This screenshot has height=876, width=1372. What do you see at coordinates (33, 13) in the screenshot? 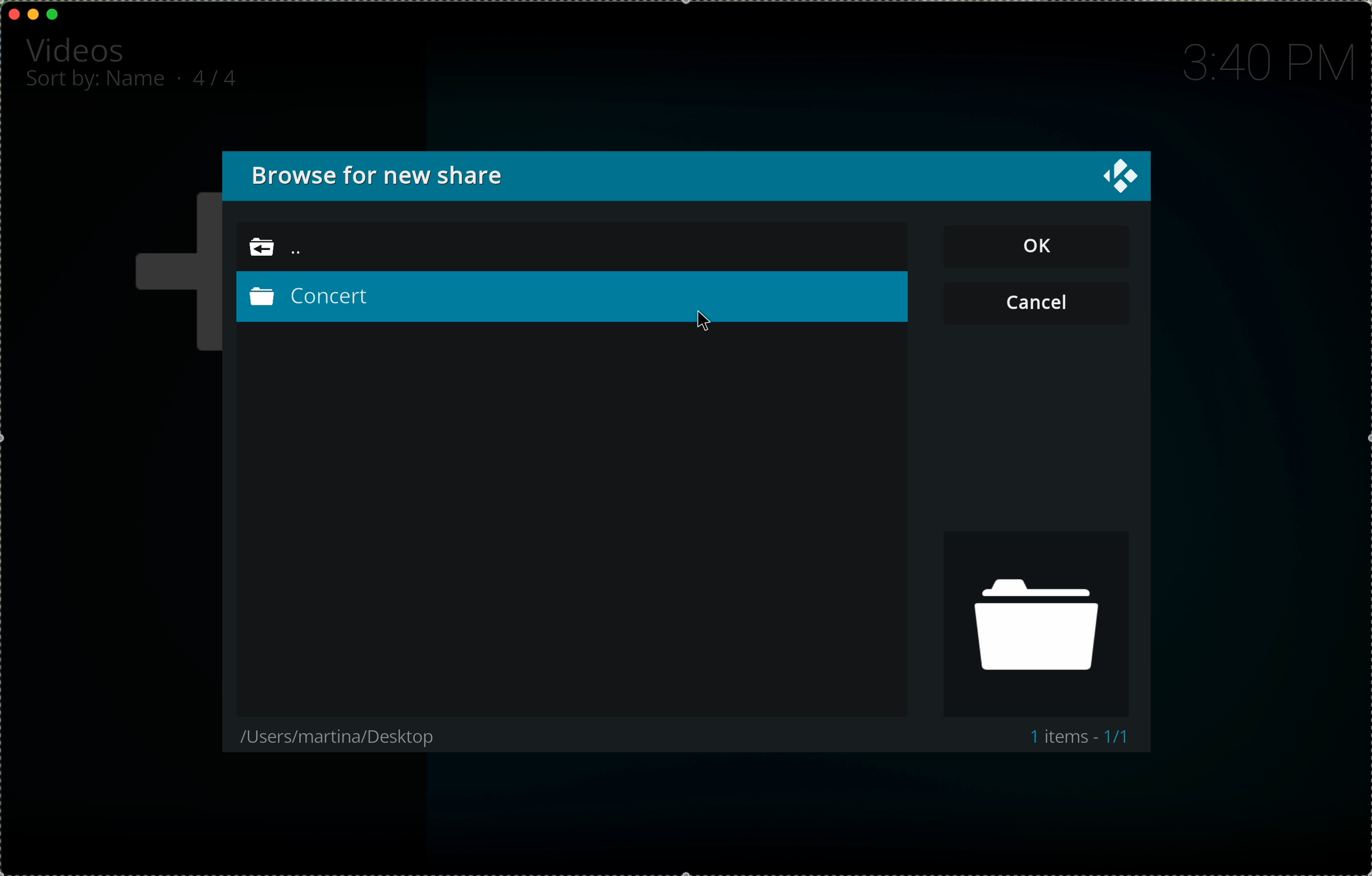
I see `minimise` at bounding box center [33, 13].